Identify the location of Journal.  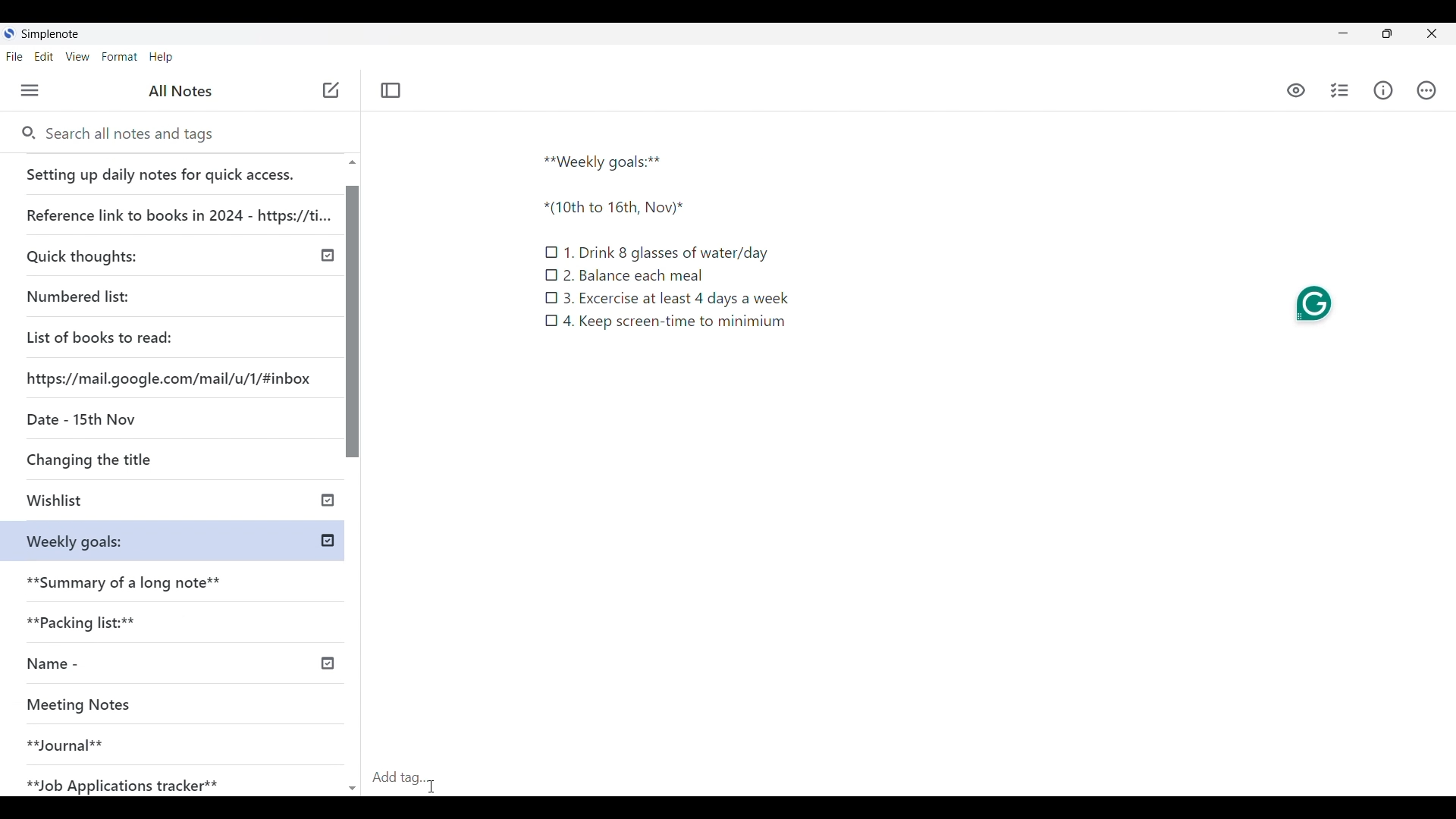
(151, 739).